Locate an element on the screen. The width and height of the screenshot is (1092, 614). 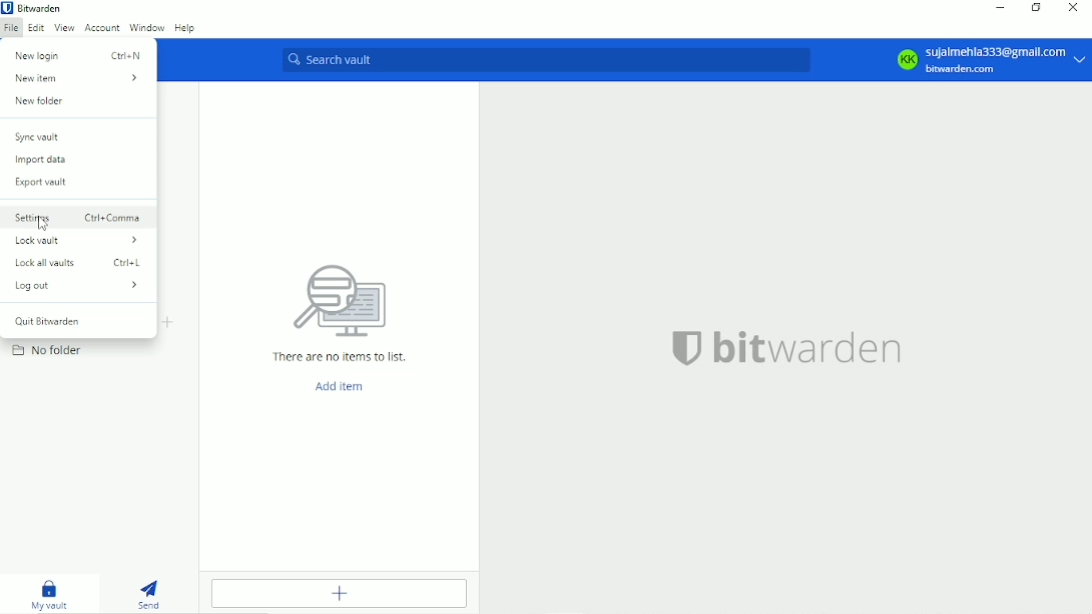
Search vault is located at coordinates (547, 60).